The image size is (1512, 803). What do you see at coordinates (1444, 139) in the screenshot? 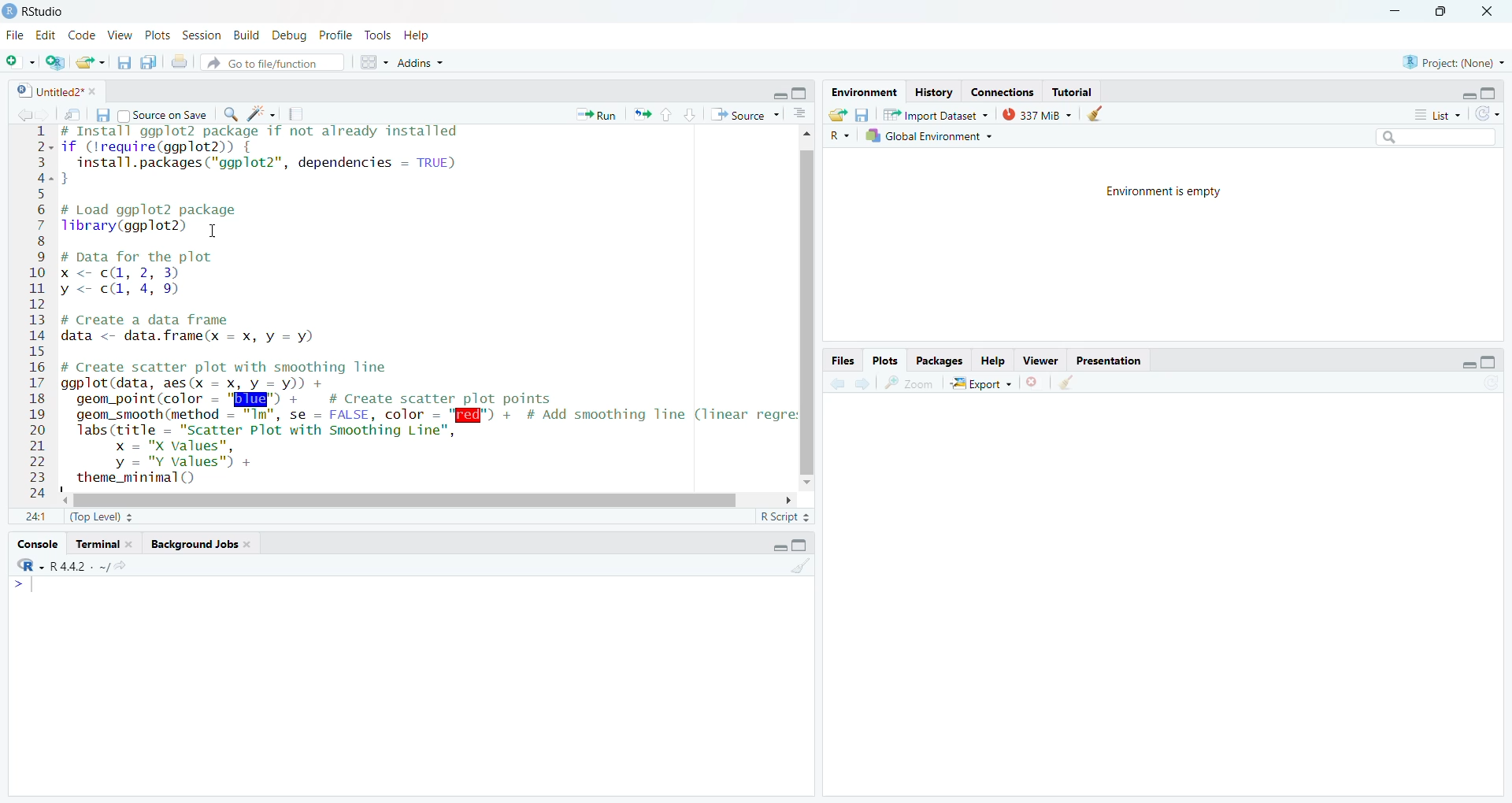
I see `search bar` at bounding box center [1444, 139].